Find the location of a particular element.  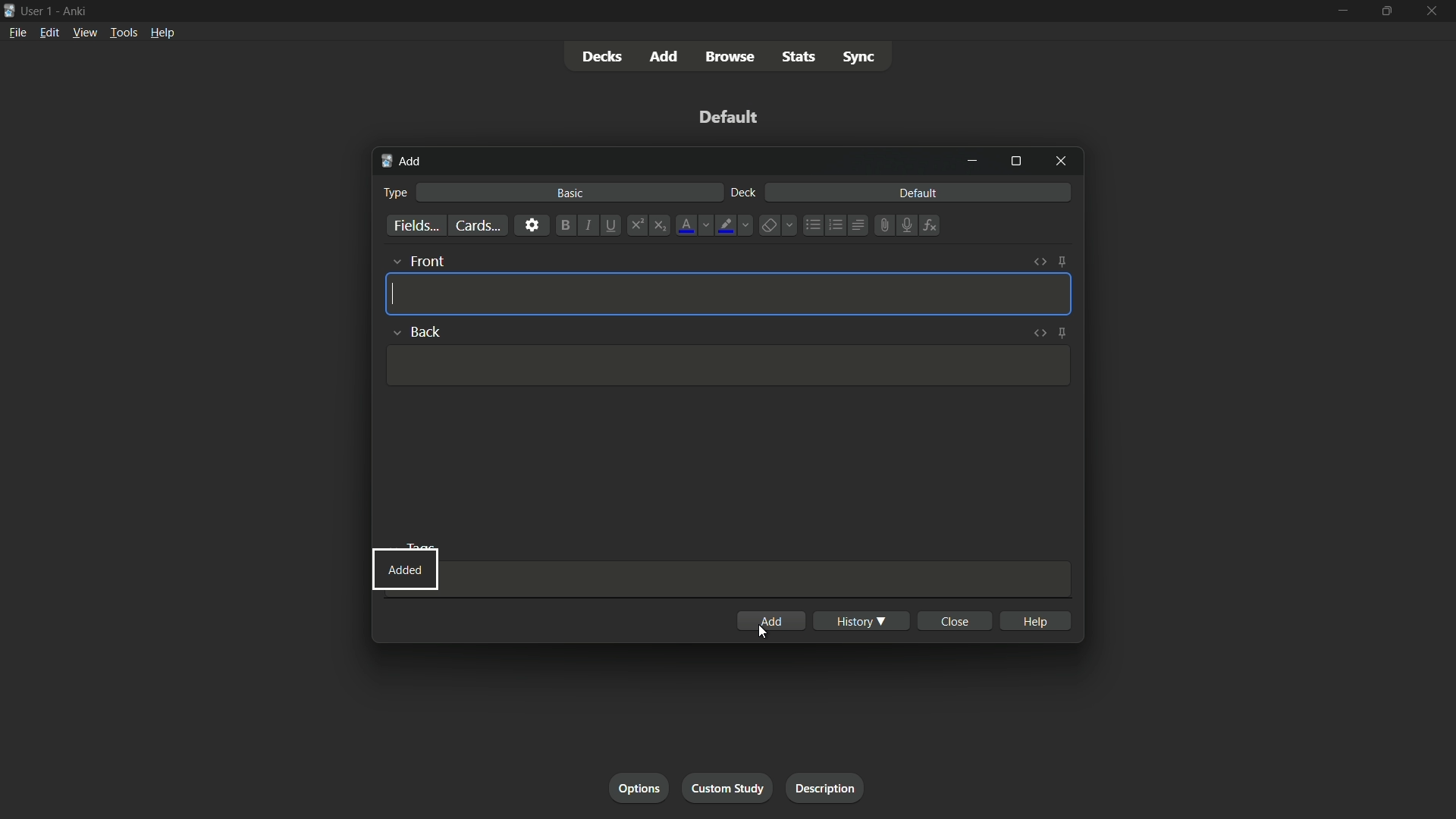

superscript is located at coordinates (636, 225).